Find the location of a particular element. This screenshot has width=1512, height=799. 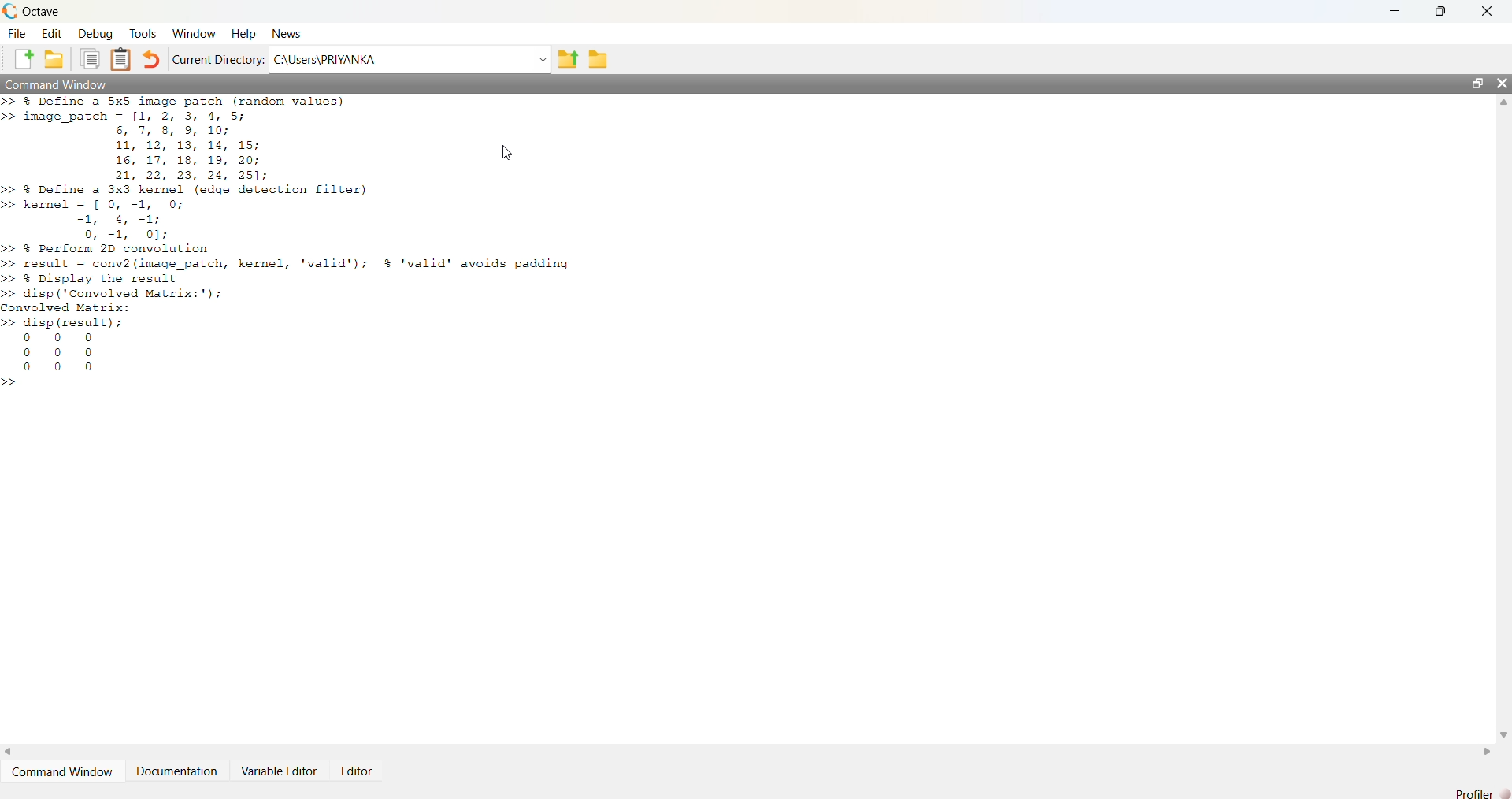

Maximize/Restore is located at coordinates (1473, 83).